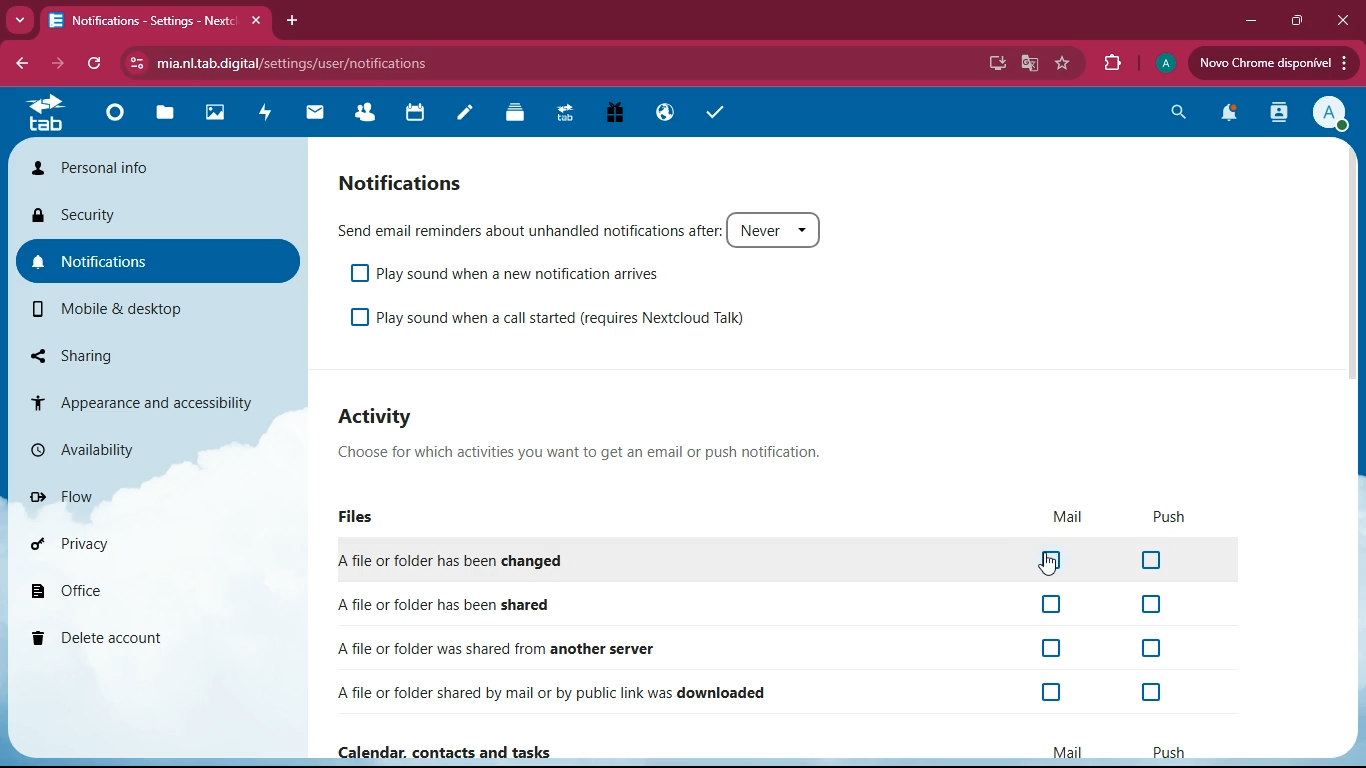 This screenshot has width=1366, height=768. What do you see at coordinates (119, 590) in the screenshot?
I see `office` at bounding box center [119, 590].